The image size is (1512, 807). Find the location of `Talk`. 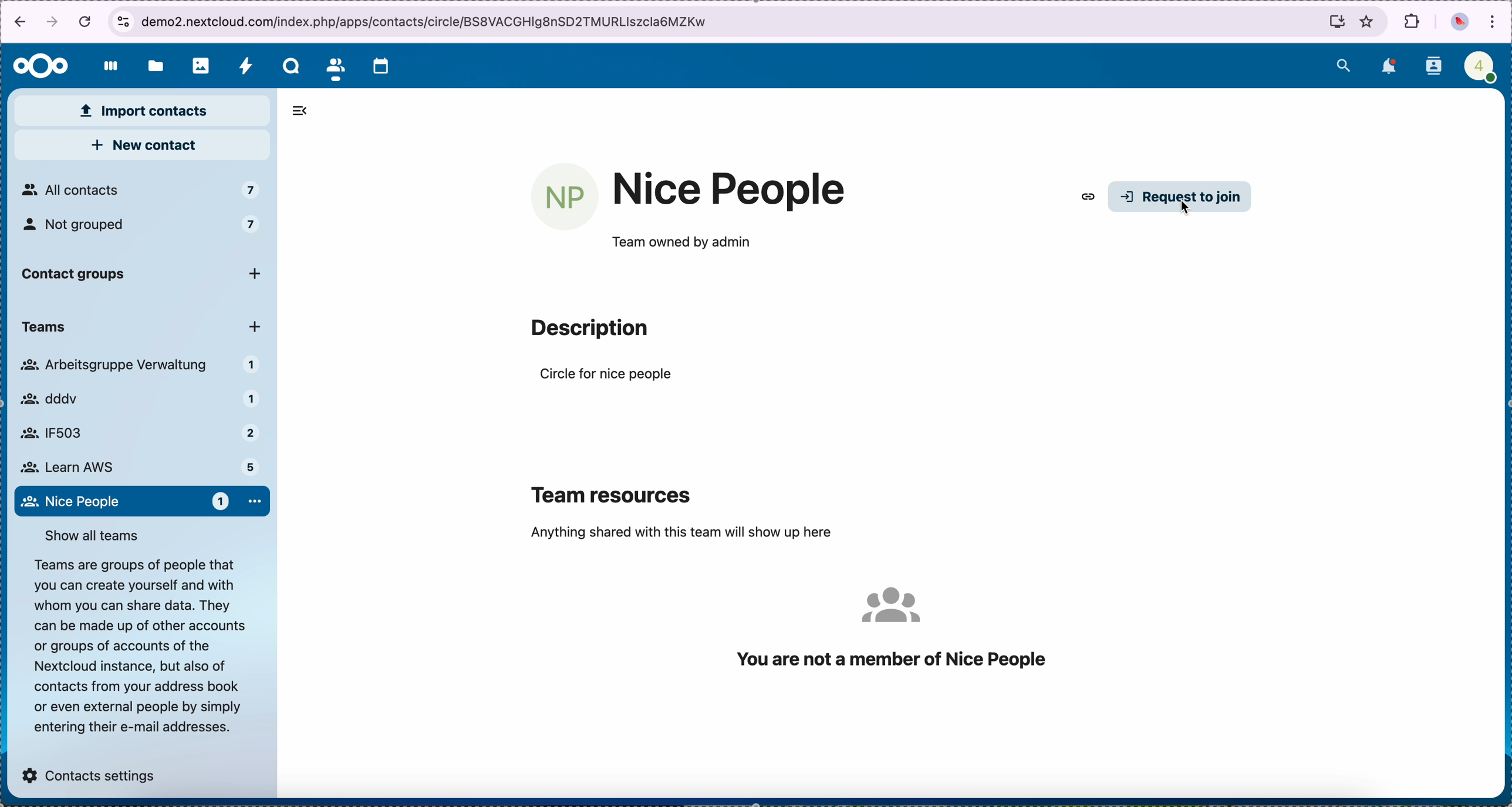

Talk is located at coordinates (288, 66).